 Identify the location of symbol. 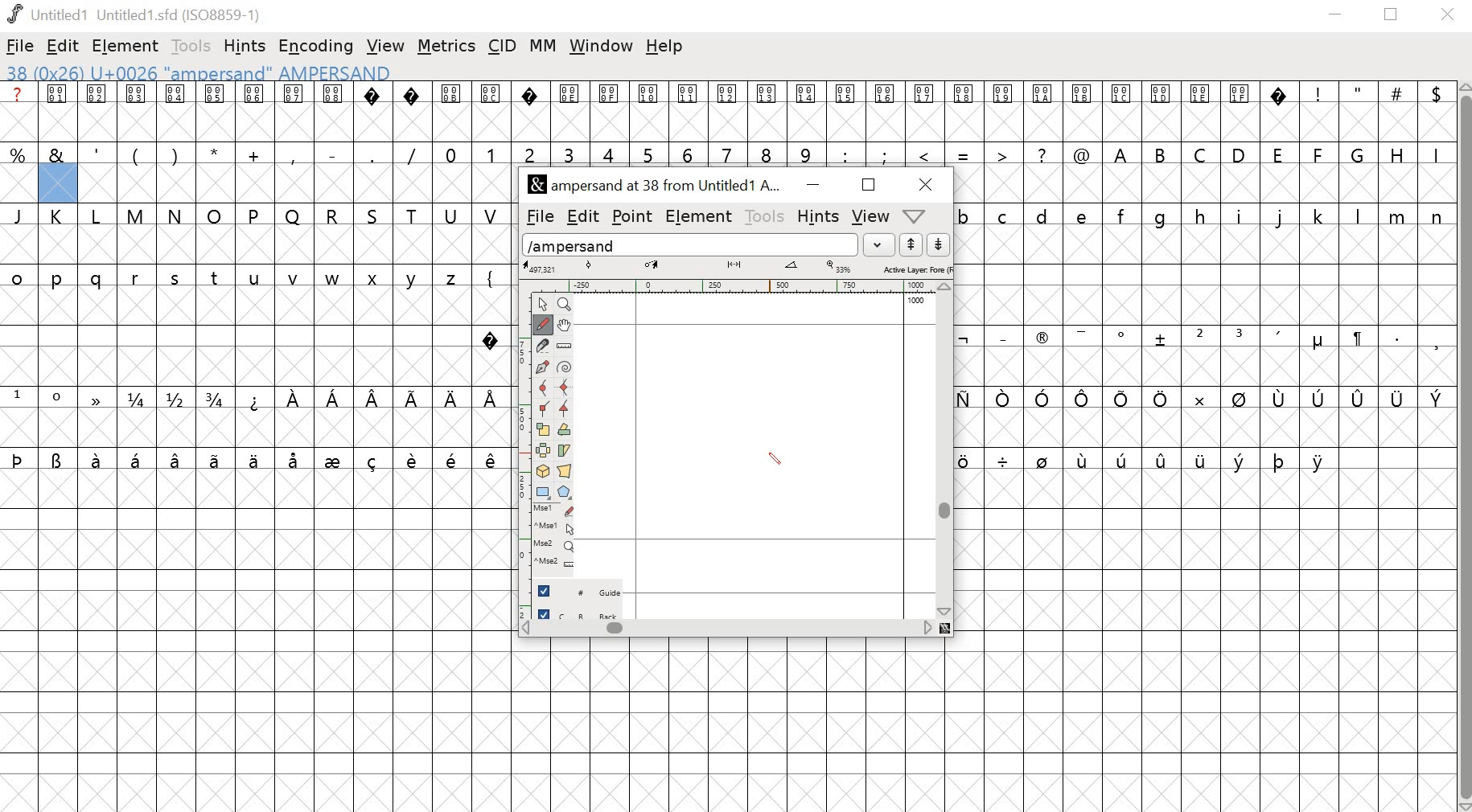
(451, 399).